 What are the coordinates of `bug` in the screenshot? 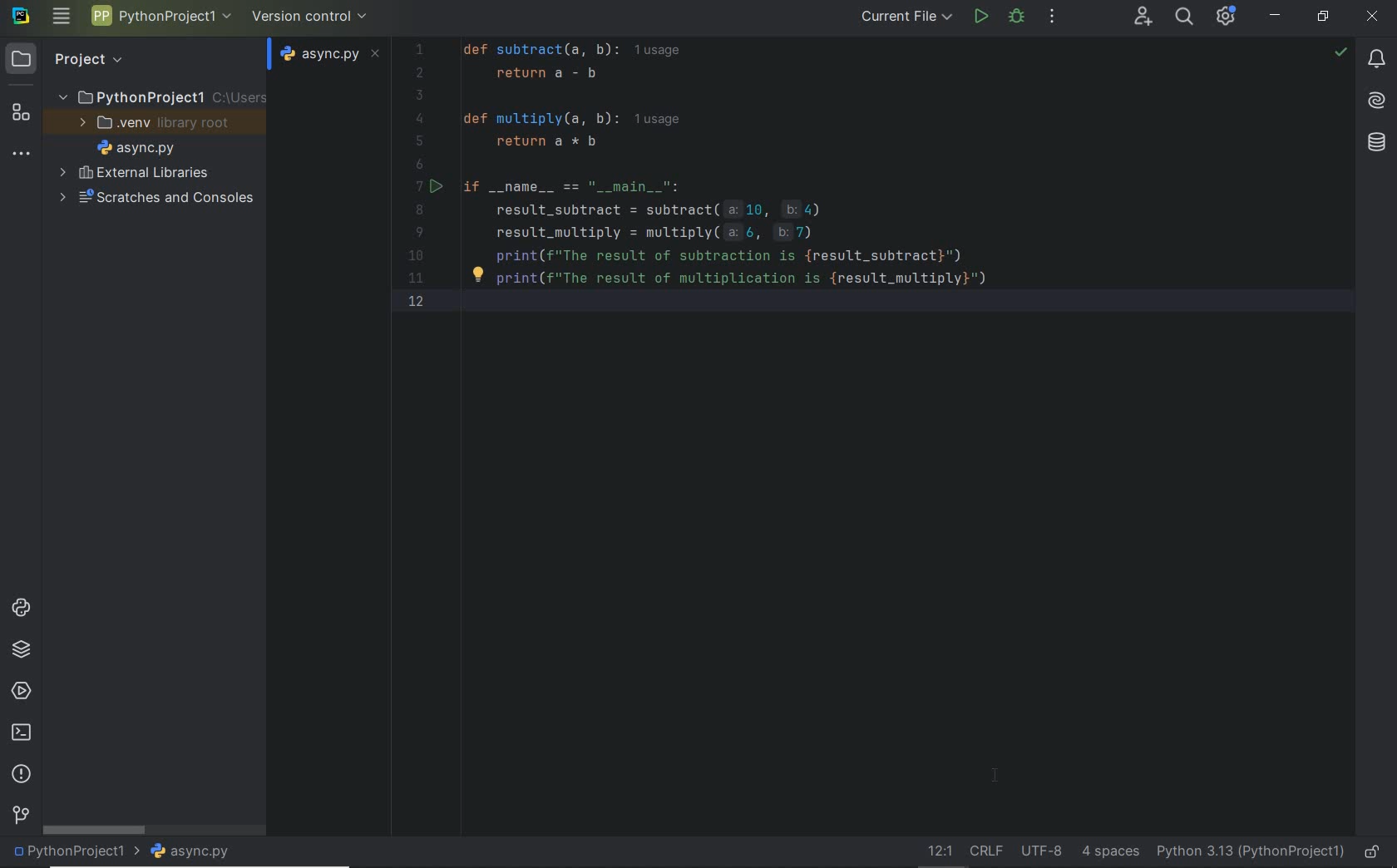 It's located at (1015, 16).